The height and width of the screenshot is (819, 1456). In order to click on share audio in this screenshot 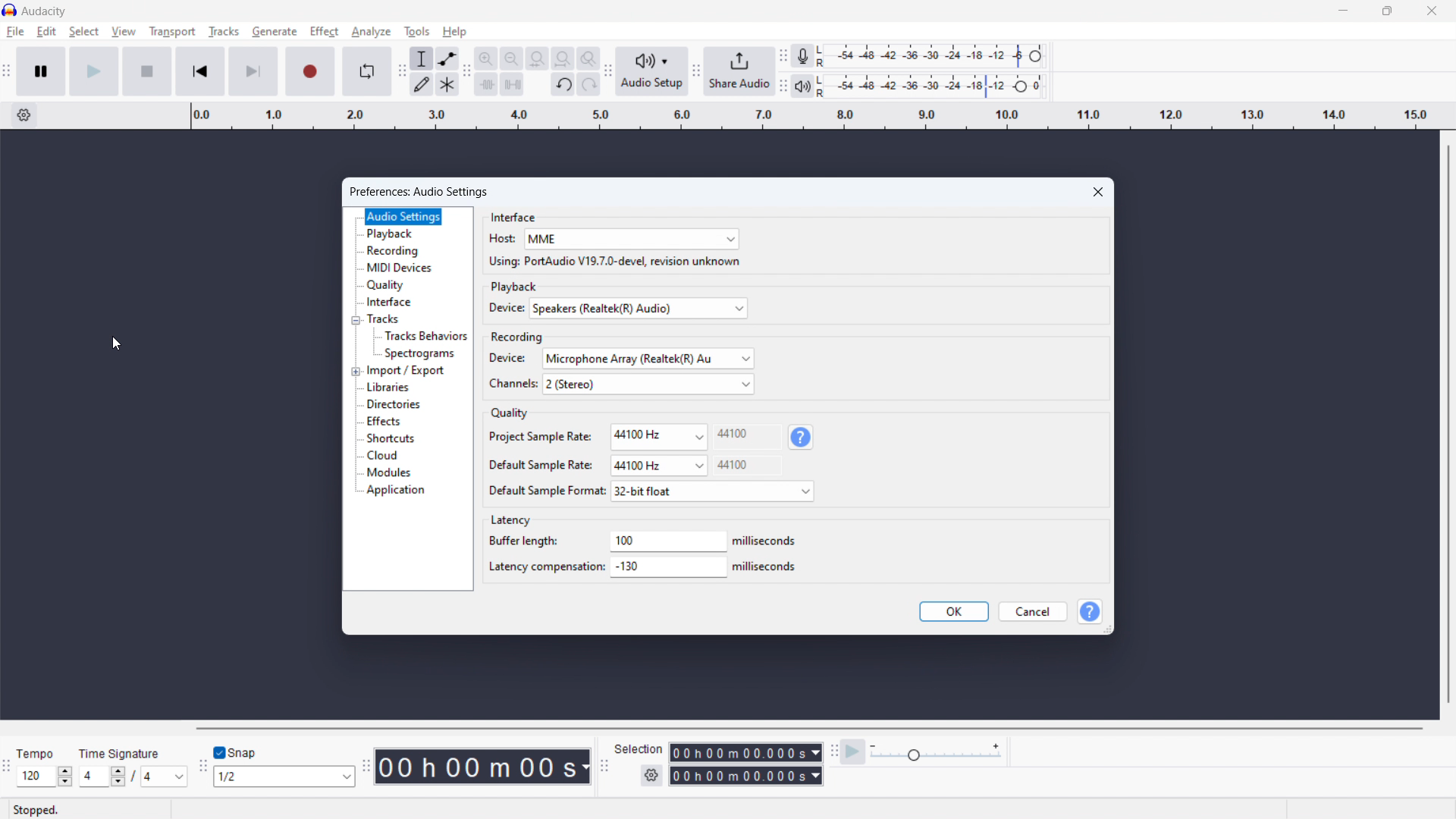, I will do `click(741, 71)`.